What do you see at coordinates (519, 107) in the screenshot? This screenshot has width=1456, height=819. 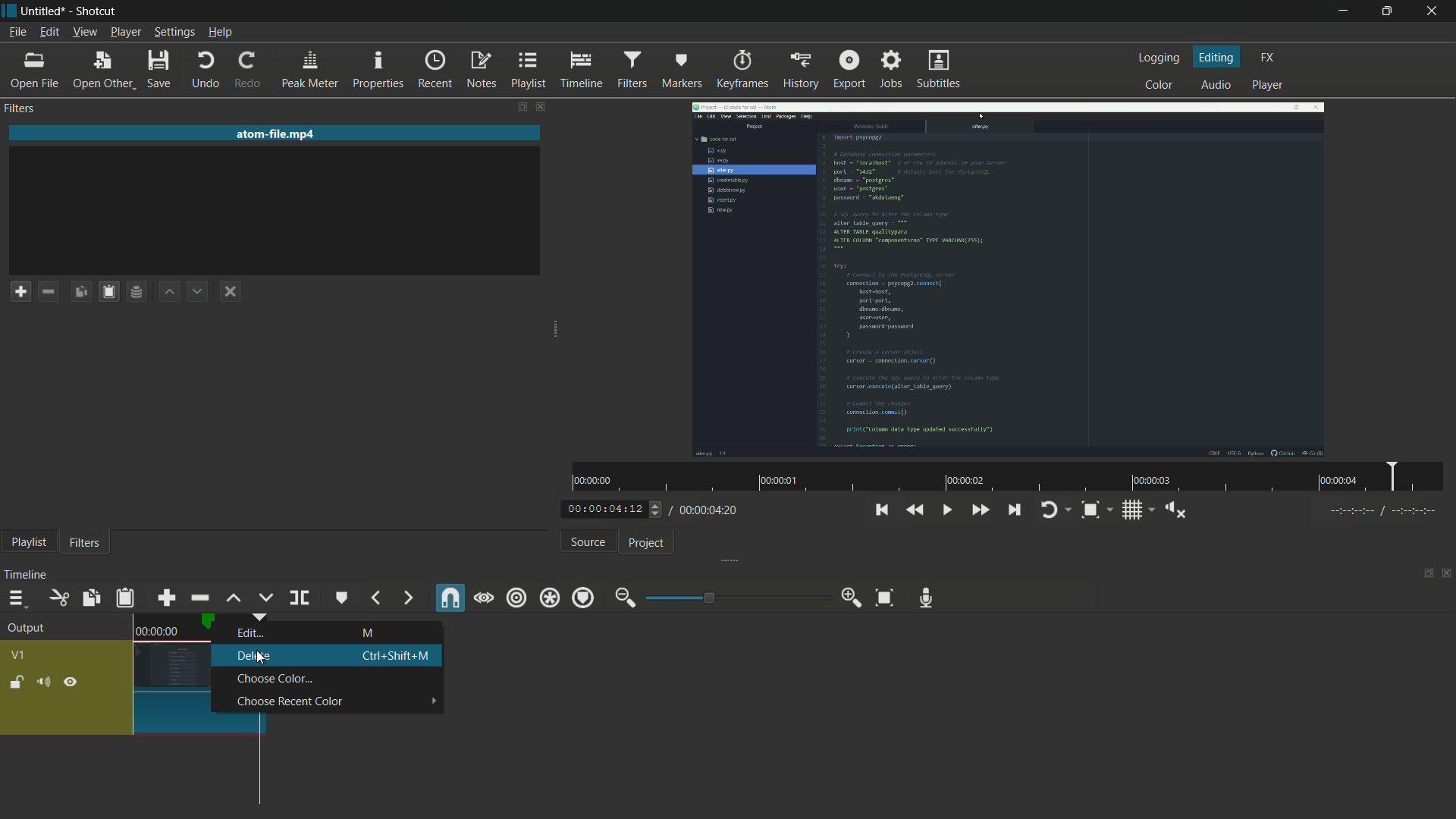 I see `change layout` at bounding box center [519, 107].